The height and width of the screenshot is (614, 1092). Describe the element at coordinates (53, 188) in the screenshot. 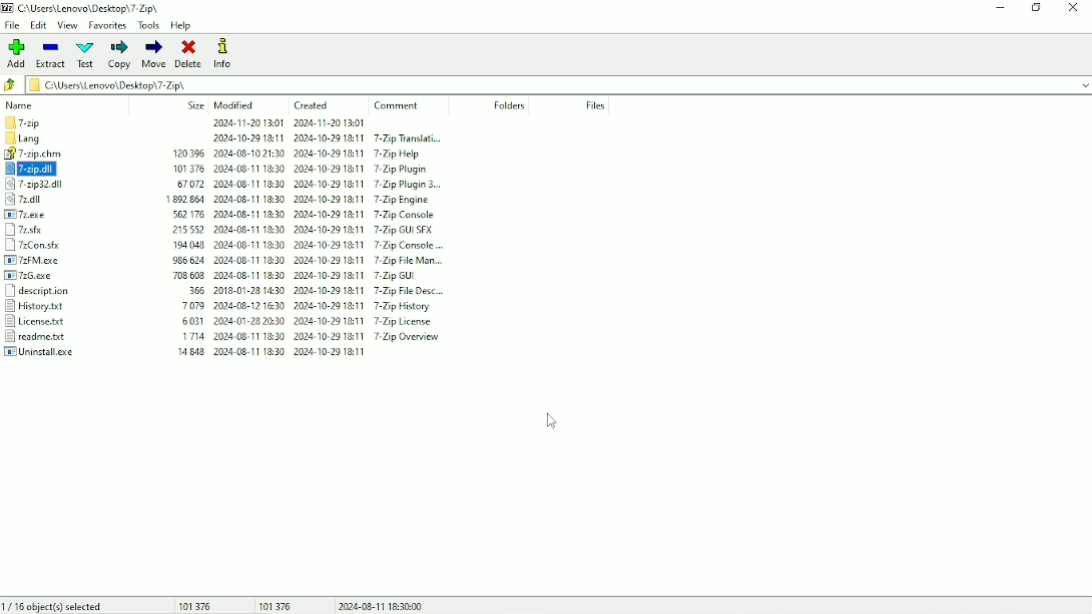

I see `7-zip32.dll` at that location.